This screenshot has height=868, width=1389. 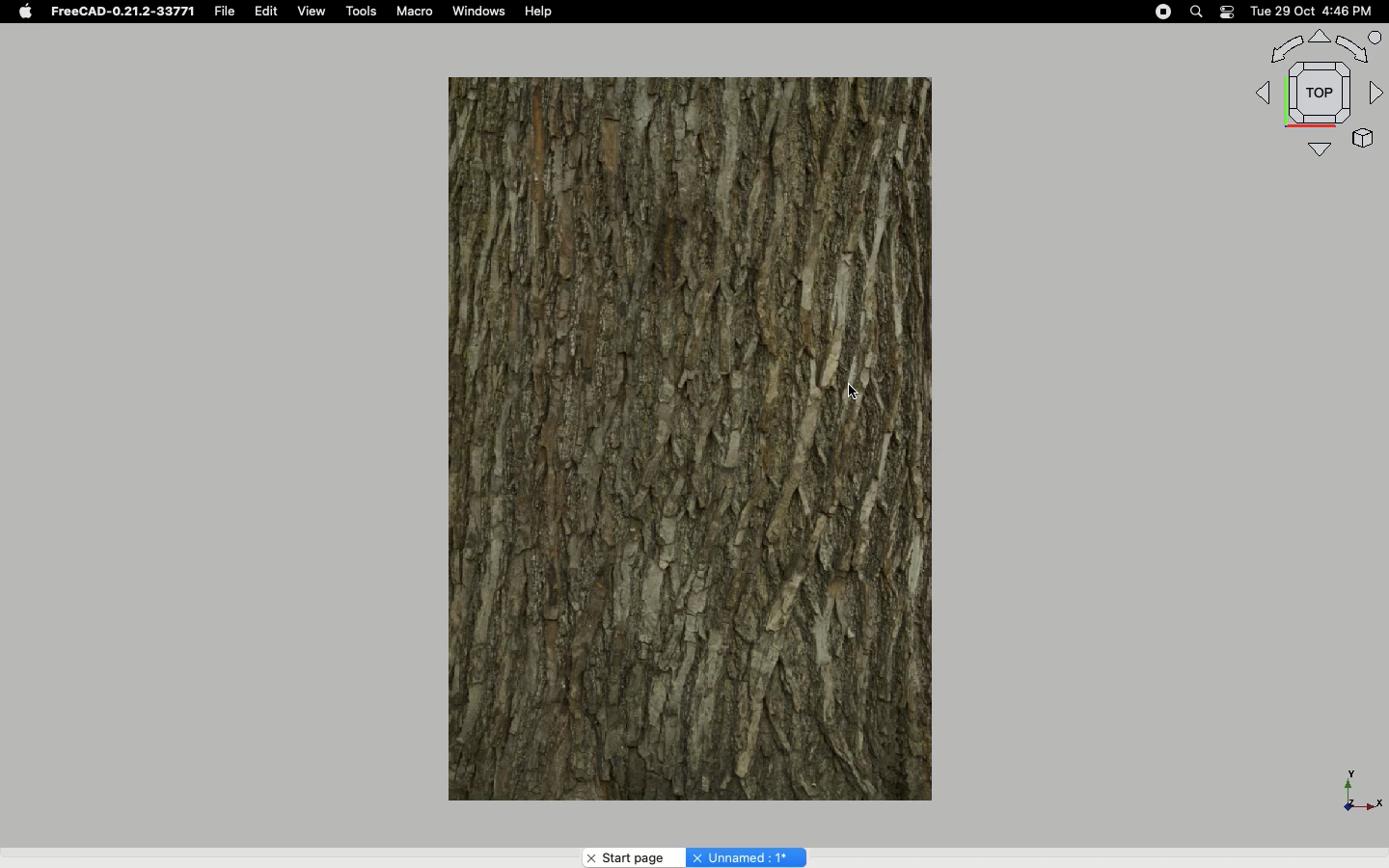 What do you see at coordinates (1197, 12) in the screenshot?
I see `Search` at bounding box center [1197, 12].